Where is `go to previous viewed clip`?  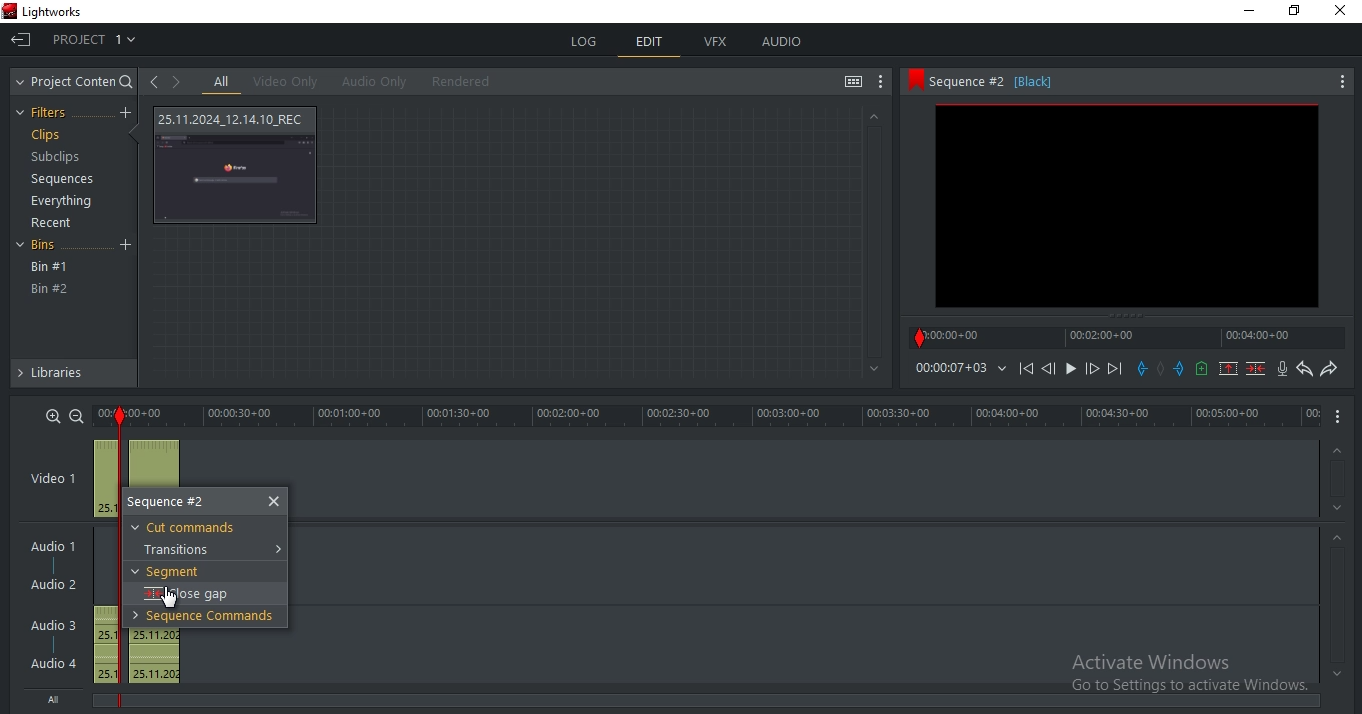
go to previous viewed clip is located at coordinates (153, 81).